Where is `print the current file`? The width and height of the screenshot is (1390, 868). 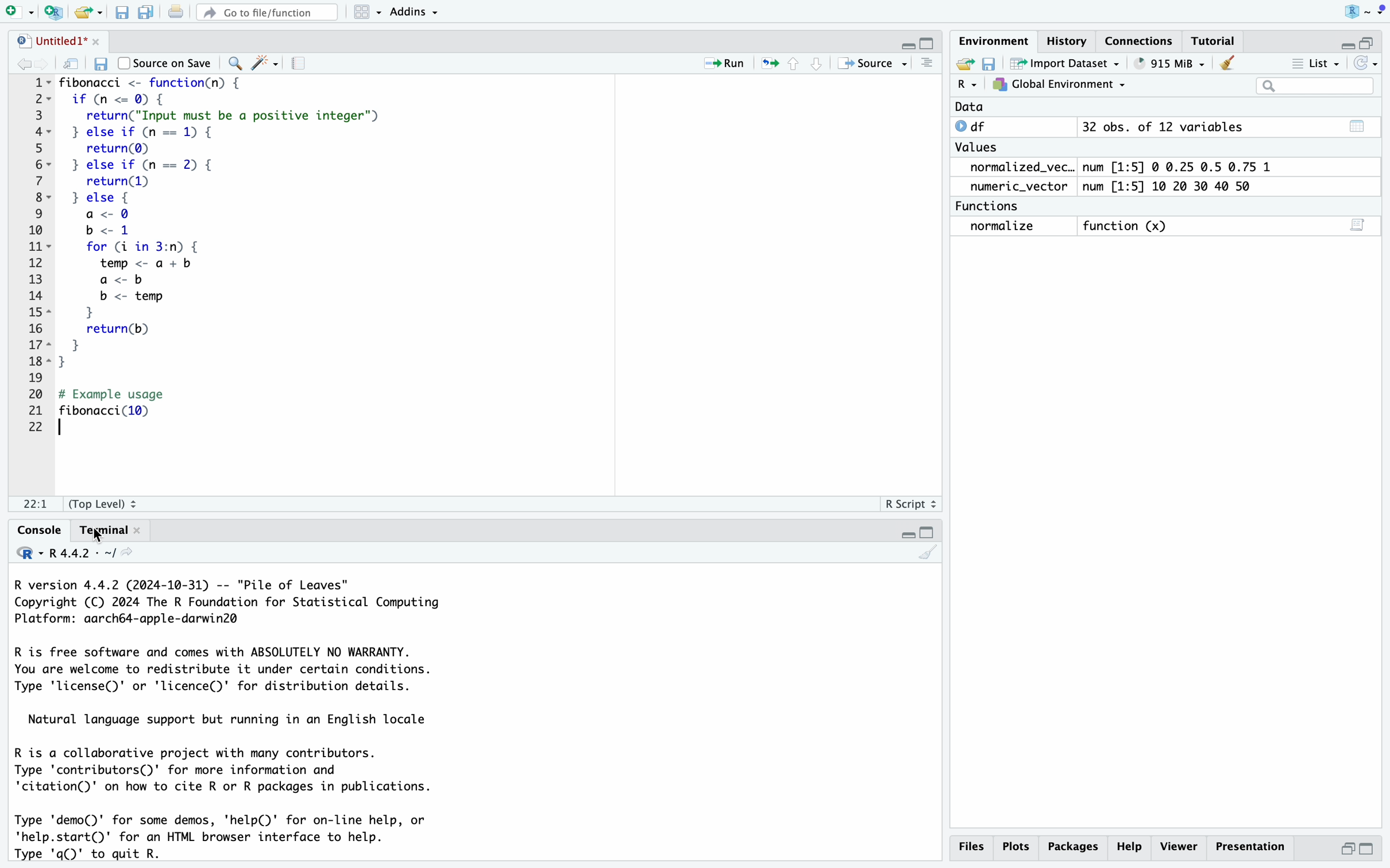
print the current file is located at coordinates (177, 10).